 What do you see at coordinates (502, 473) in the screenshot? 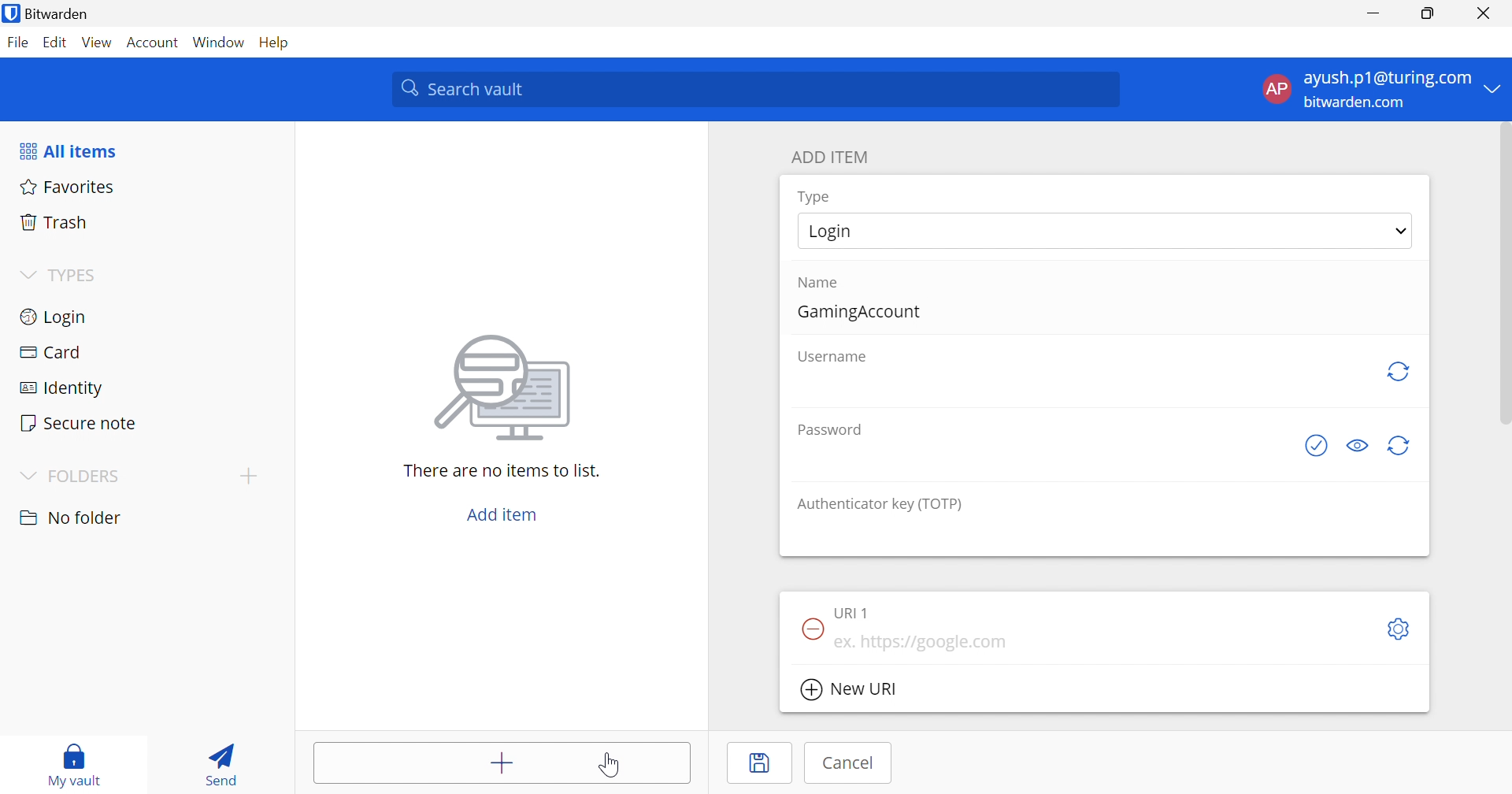
I see `There are no items to list.` at bounding box center [502, 473].